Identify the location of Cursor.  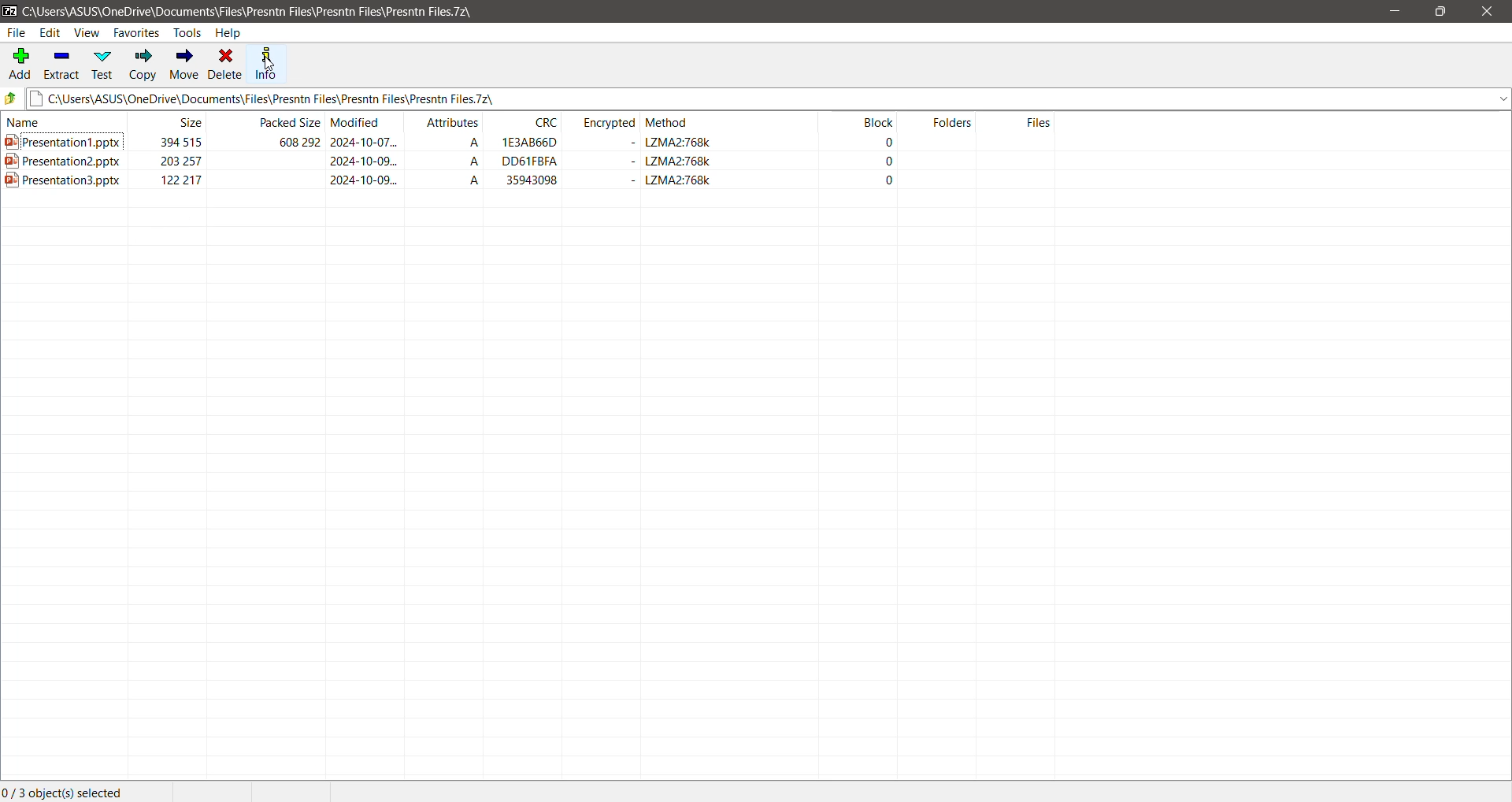
(265, 62).